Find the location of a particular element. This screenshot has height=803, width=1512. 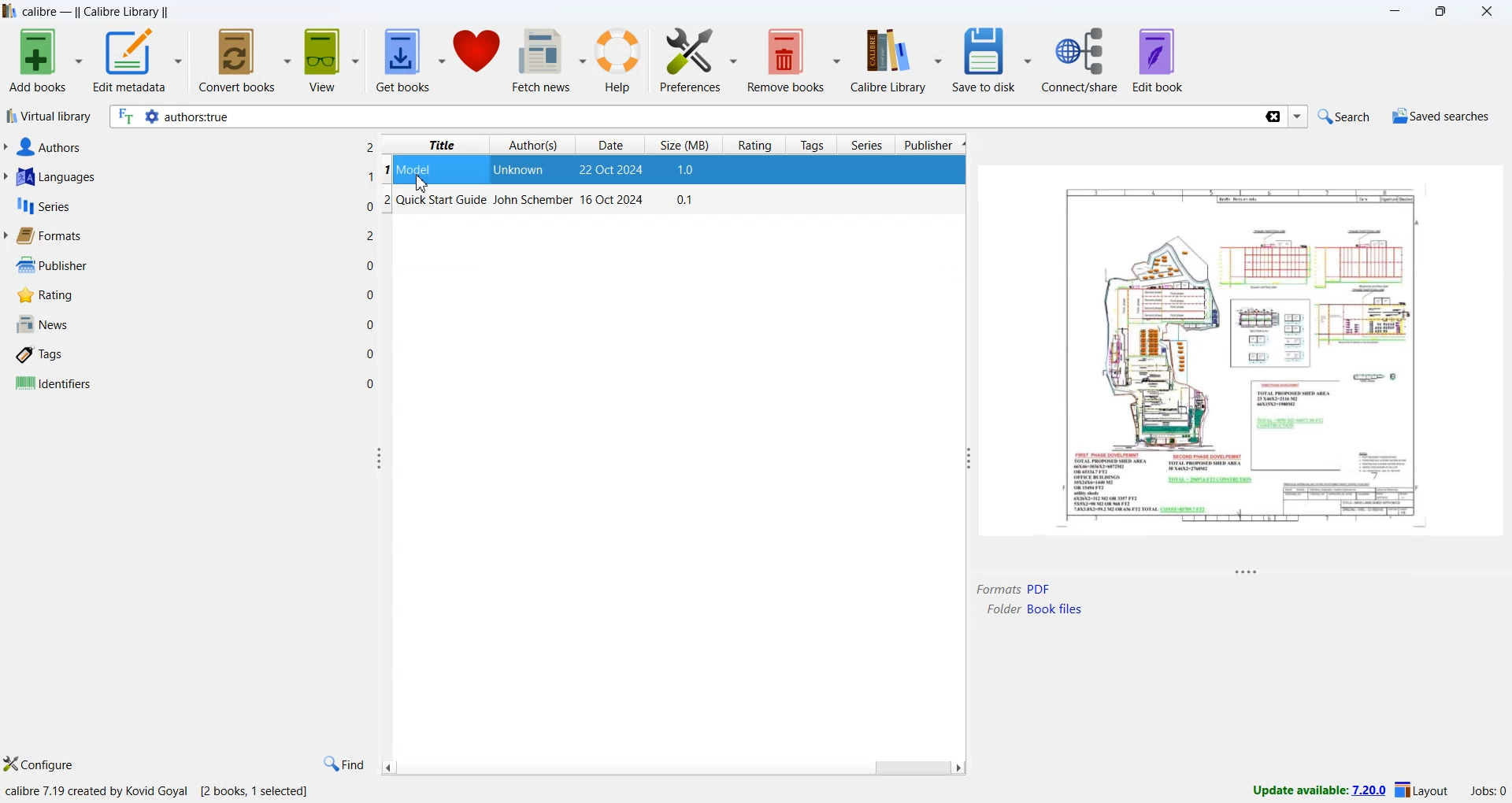

0 is located at coordinates (372, 324).